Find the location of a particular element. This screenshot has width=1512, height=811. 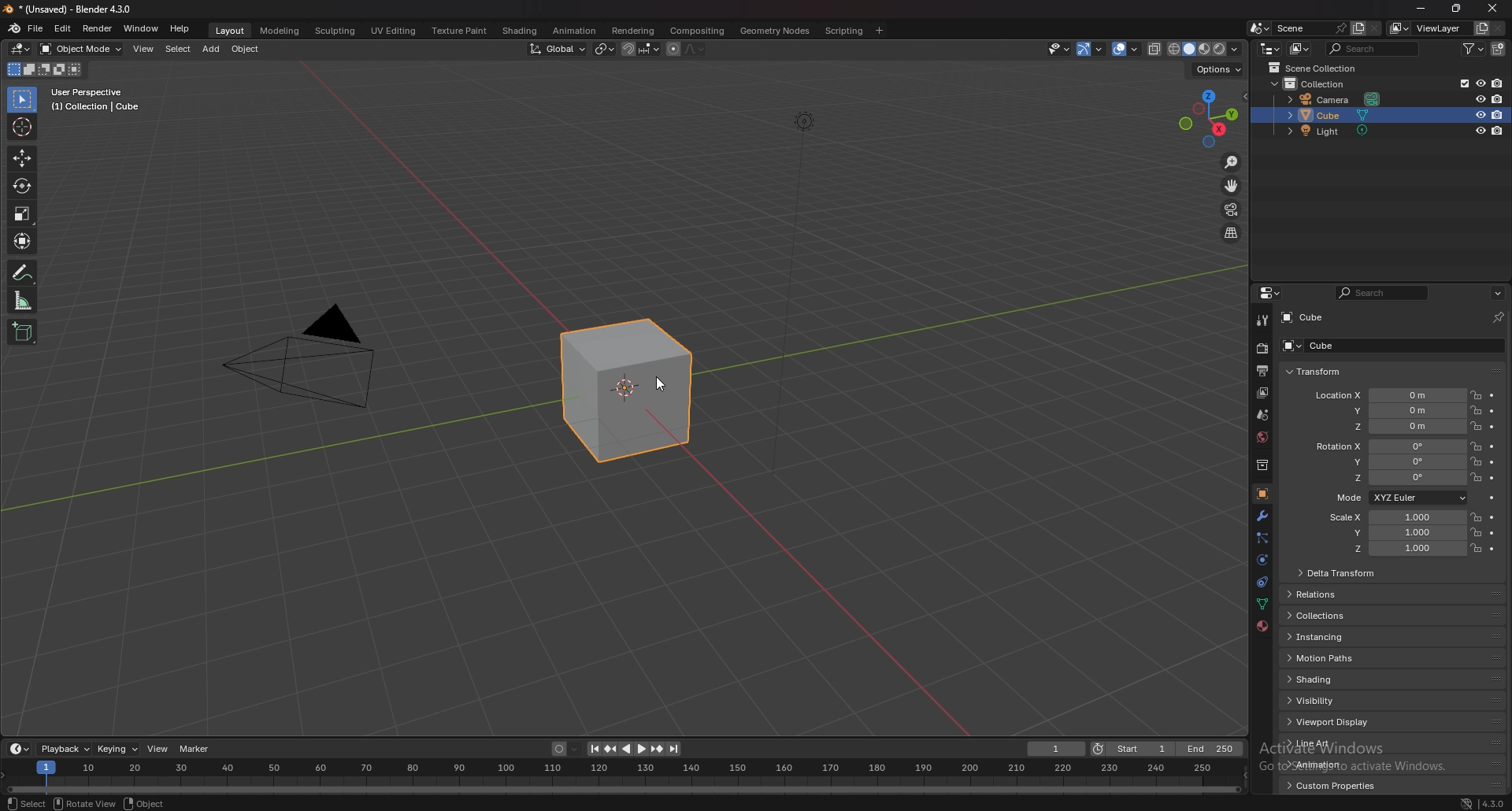

editor type is located at coordinates (1271, 294).